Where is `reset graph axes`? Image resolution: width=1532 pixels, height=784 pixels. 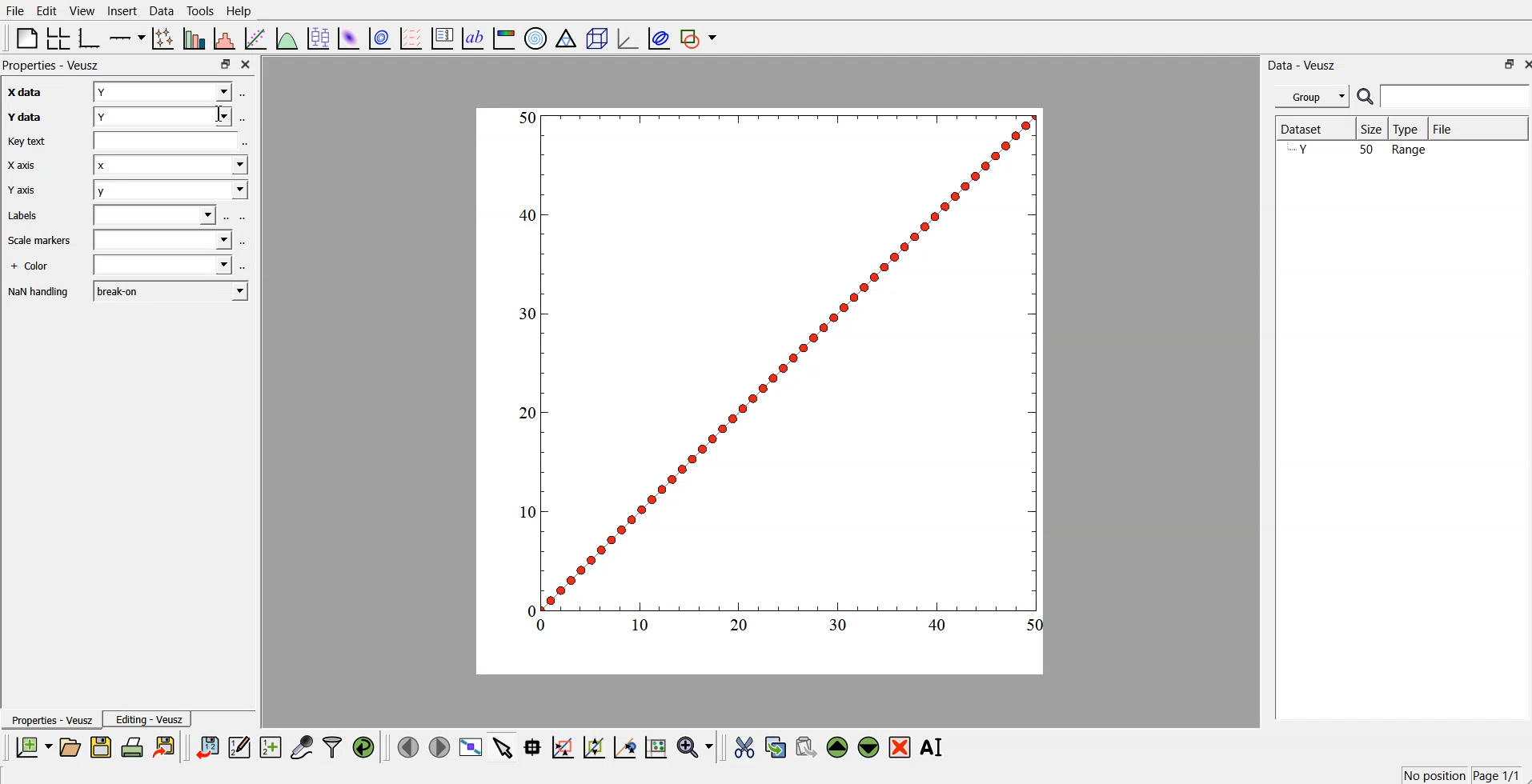 reset graph axes is located at coordinates (657, 750).